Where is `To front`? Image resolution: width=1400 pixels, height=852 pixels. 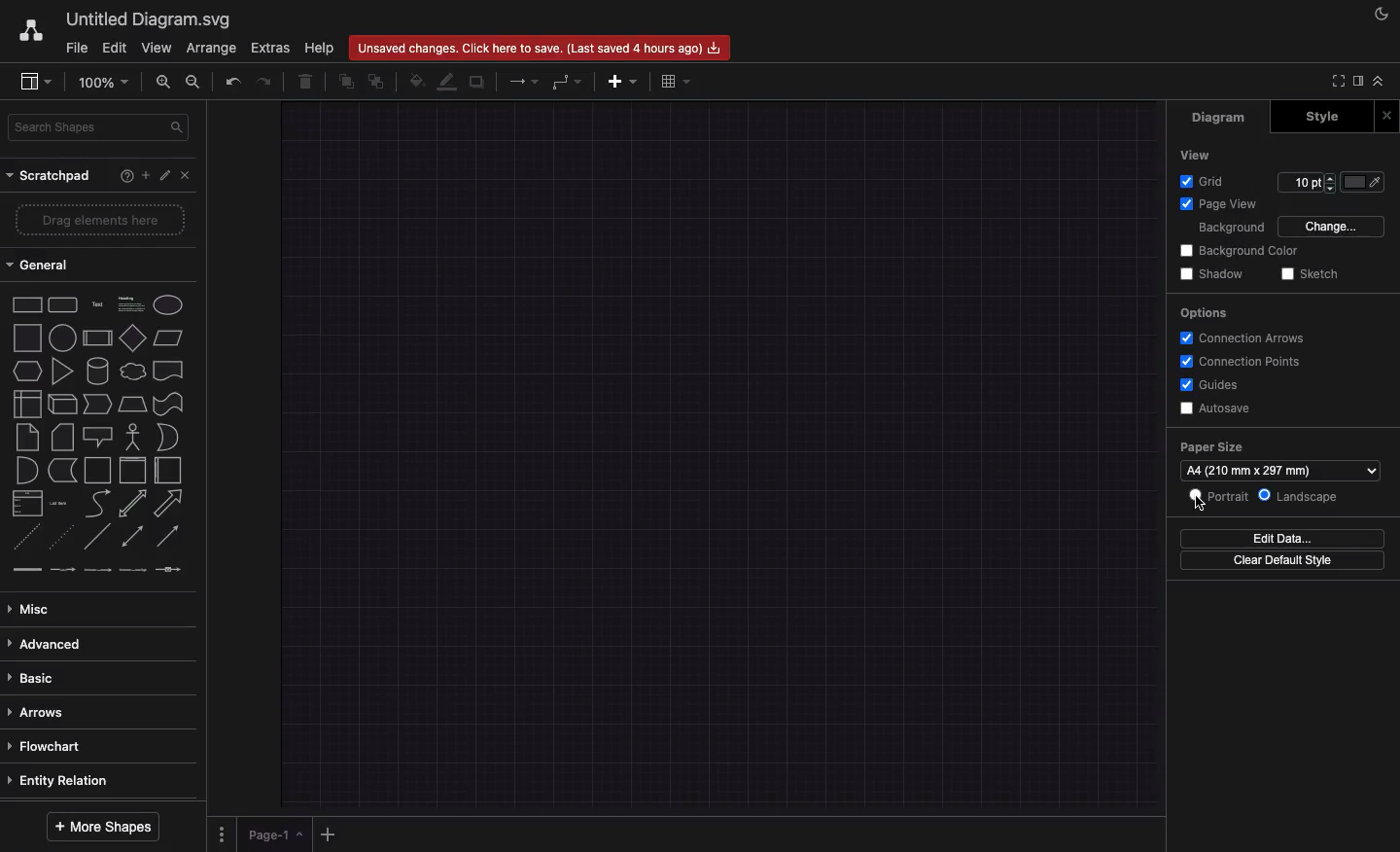
To front is located at coordinates (345, 85).